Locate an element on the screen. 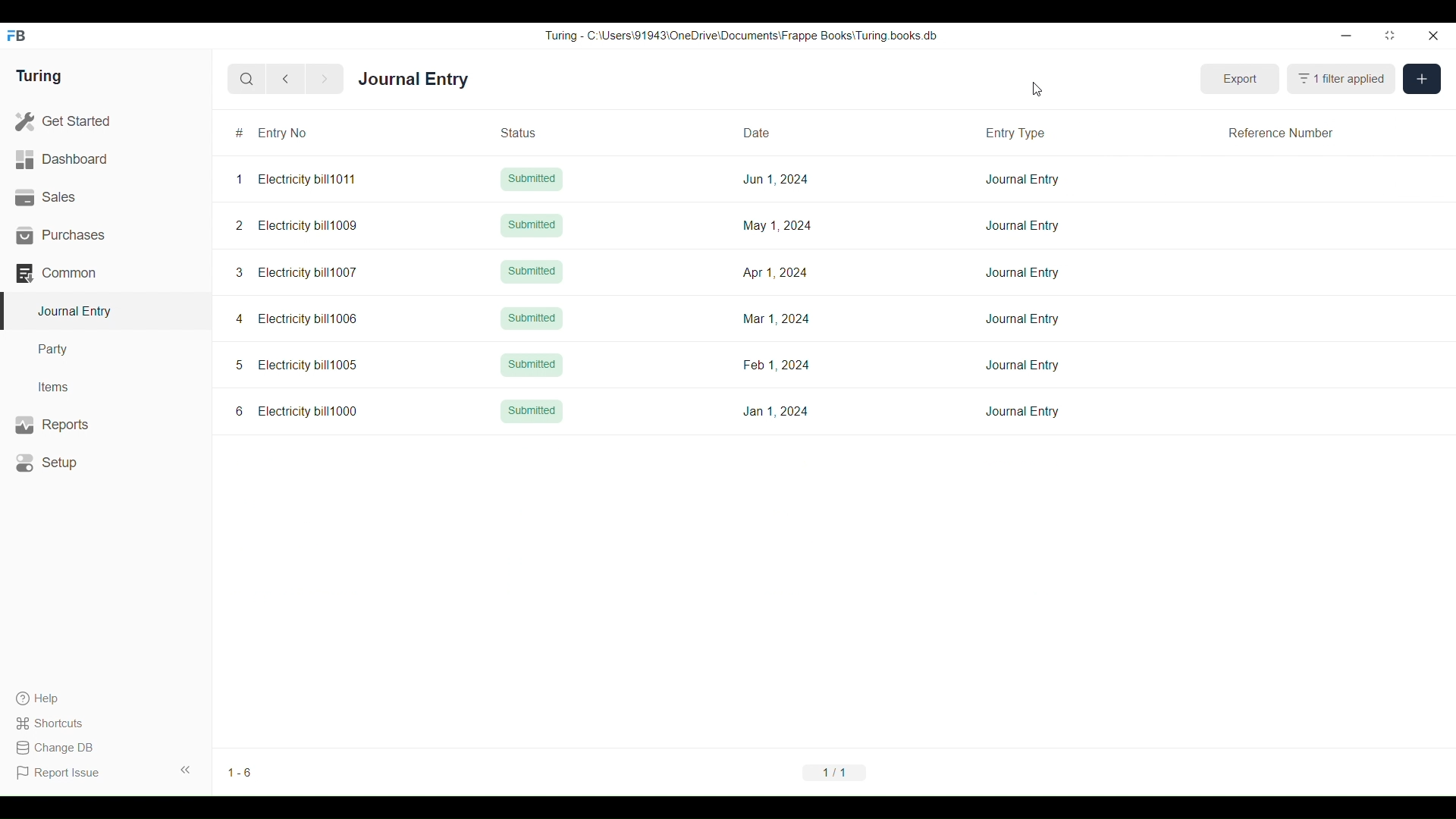  Status is located at coordinates (536, 132).